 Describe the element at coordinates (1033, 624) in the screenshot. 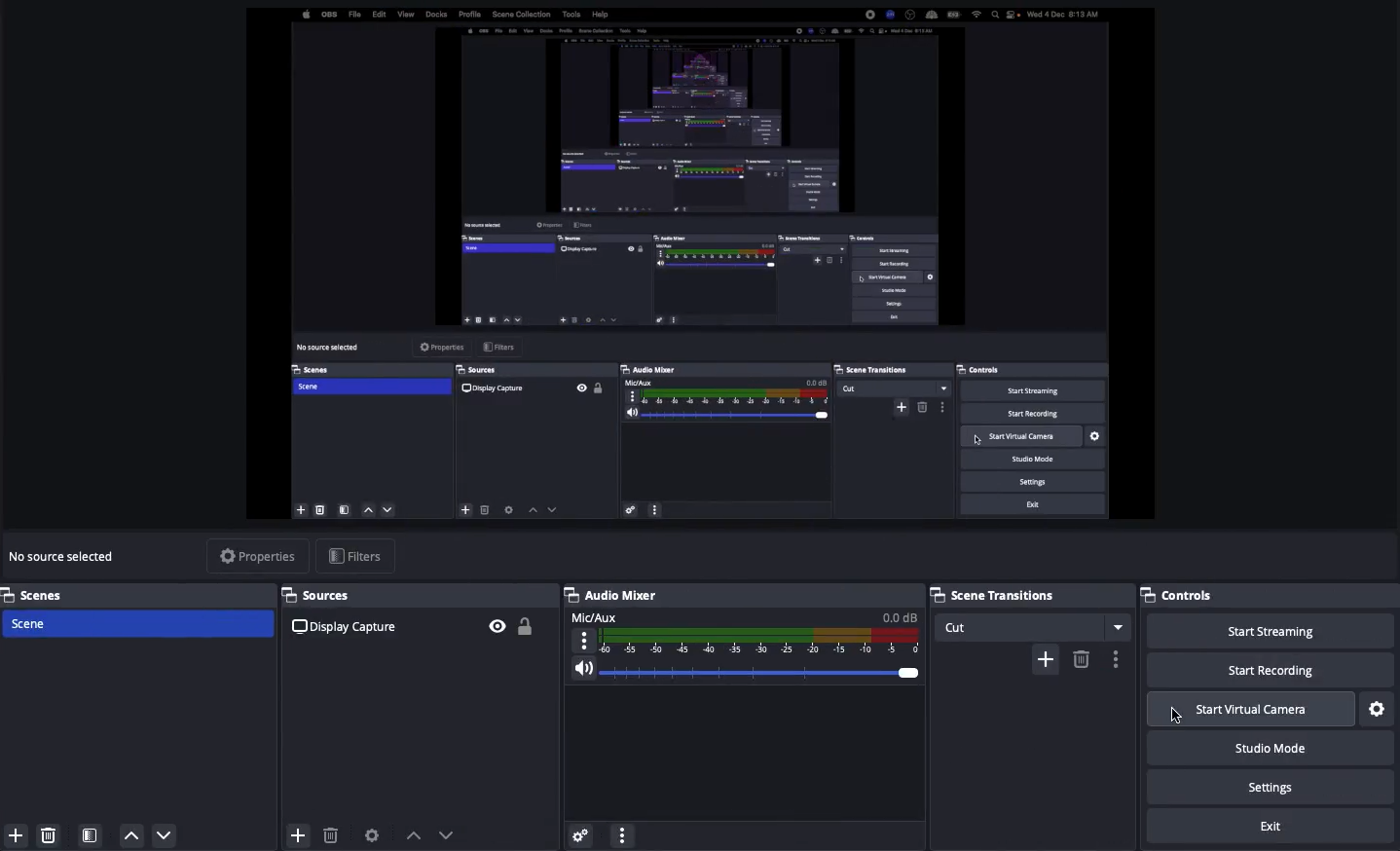

I see `Cut` at that location.